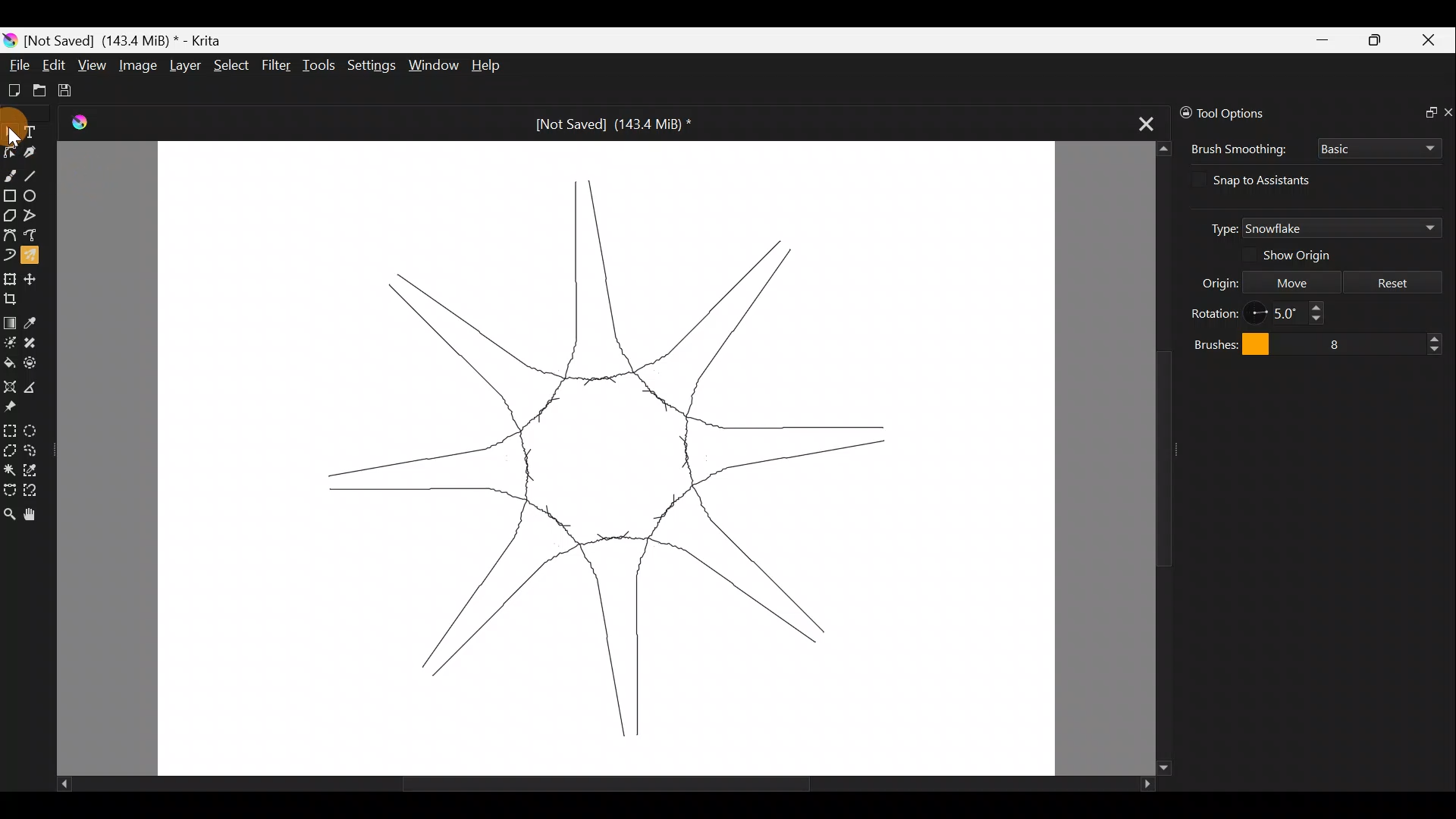  What do you see at coordinates (54, 66) in the screenshot?
I see `Edit` at bounding box center [54, 66].